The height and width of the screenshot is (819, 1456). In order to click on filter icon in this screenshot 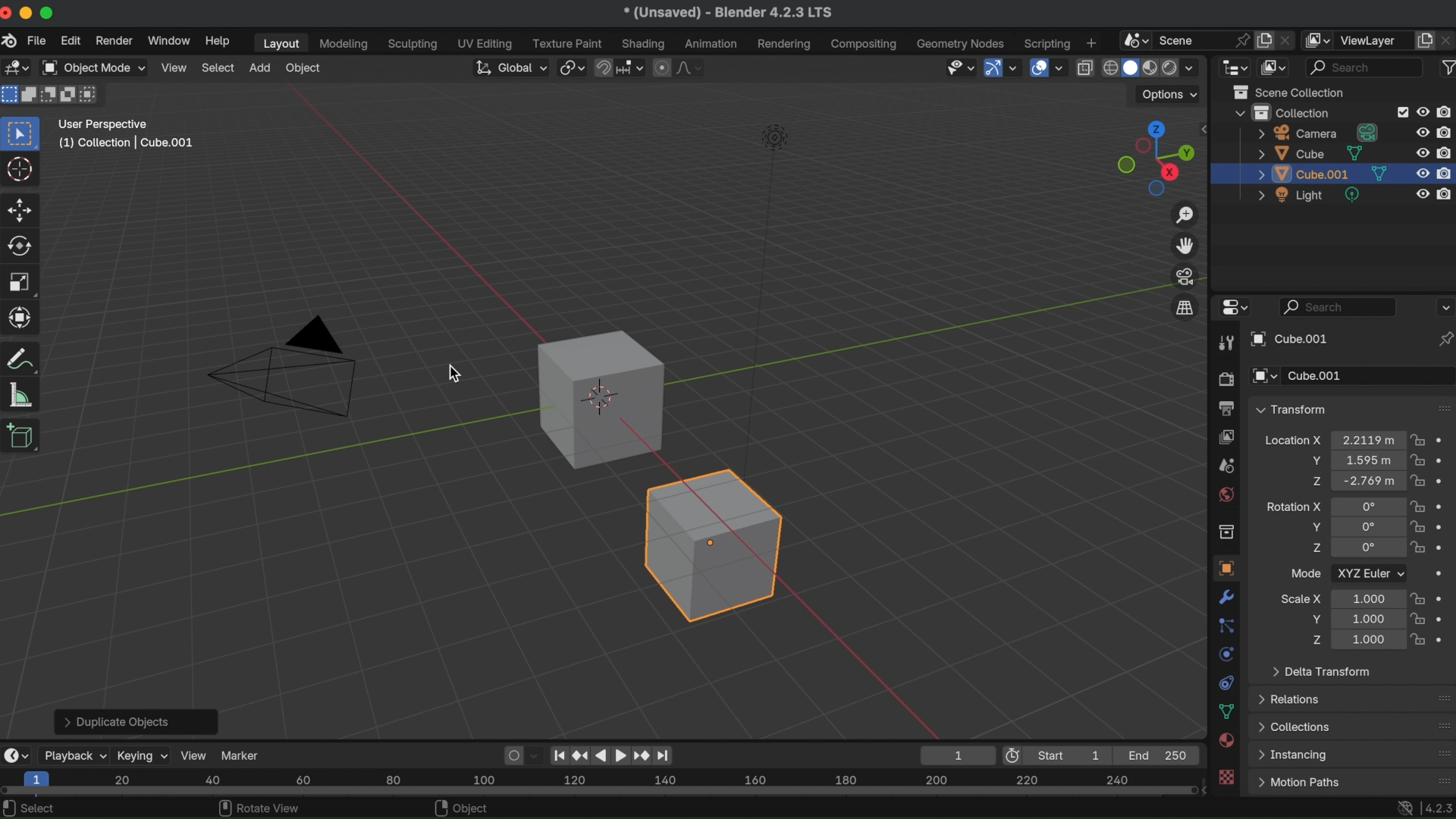, I will do `click(1446, 66)`.